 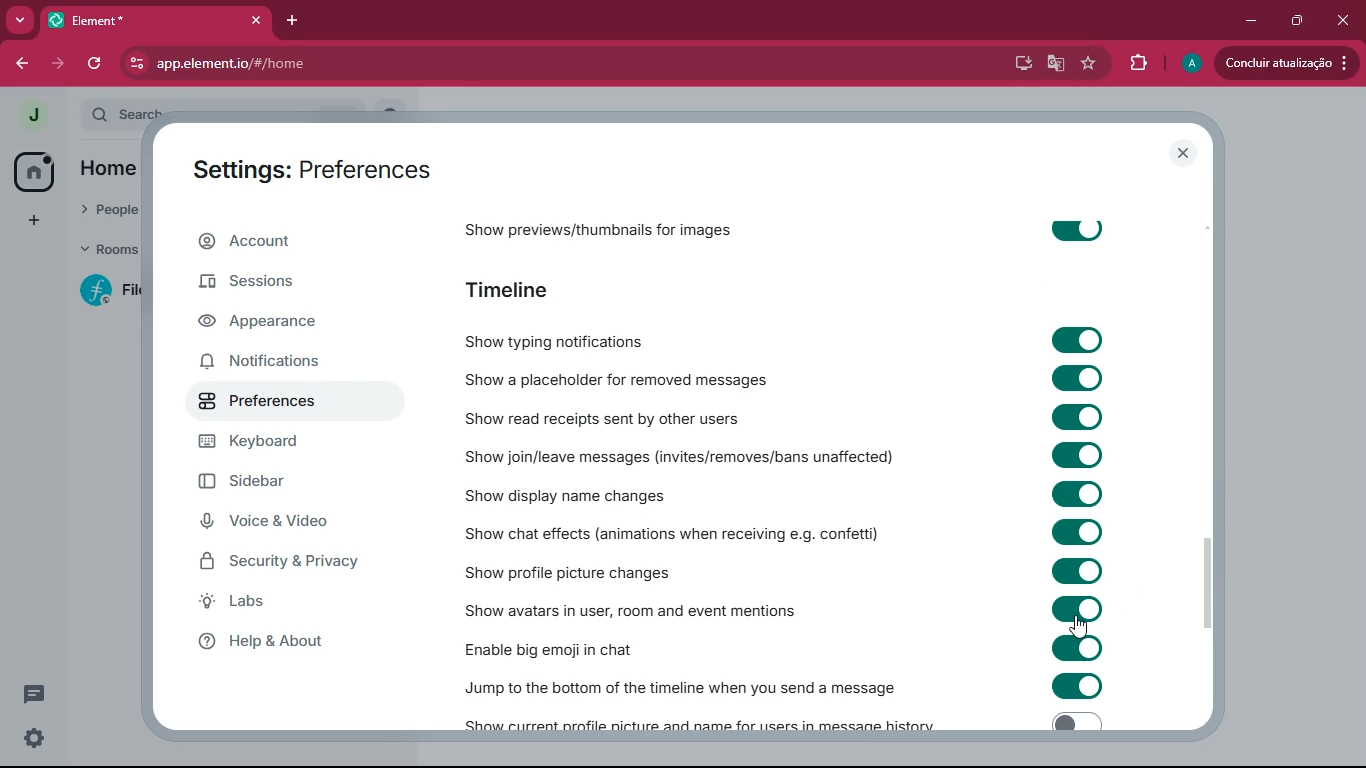 I want to click on close, so click(x=1343, y=21).